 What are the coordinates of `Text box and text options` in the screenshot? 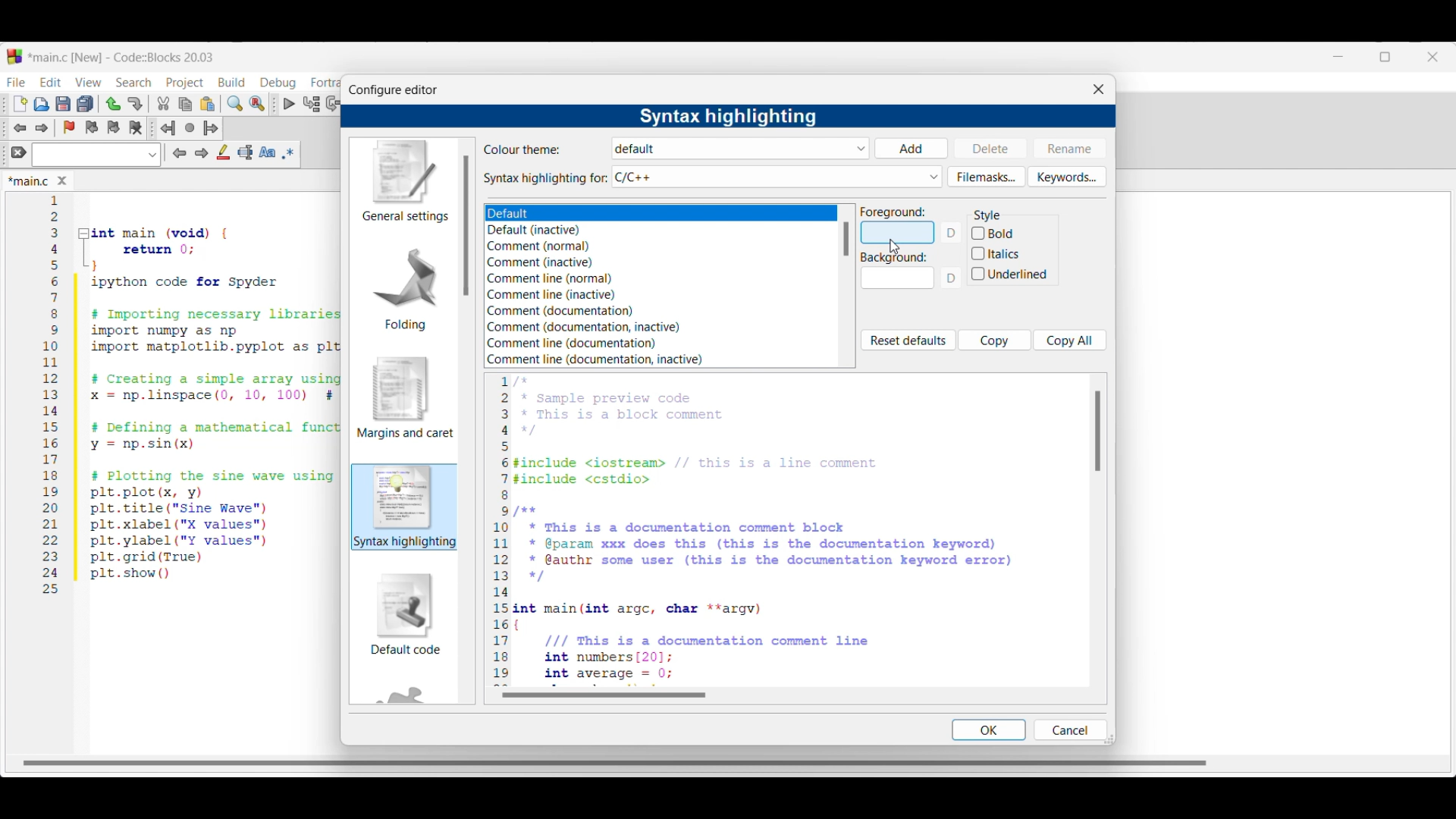 It's located at (96, 155).